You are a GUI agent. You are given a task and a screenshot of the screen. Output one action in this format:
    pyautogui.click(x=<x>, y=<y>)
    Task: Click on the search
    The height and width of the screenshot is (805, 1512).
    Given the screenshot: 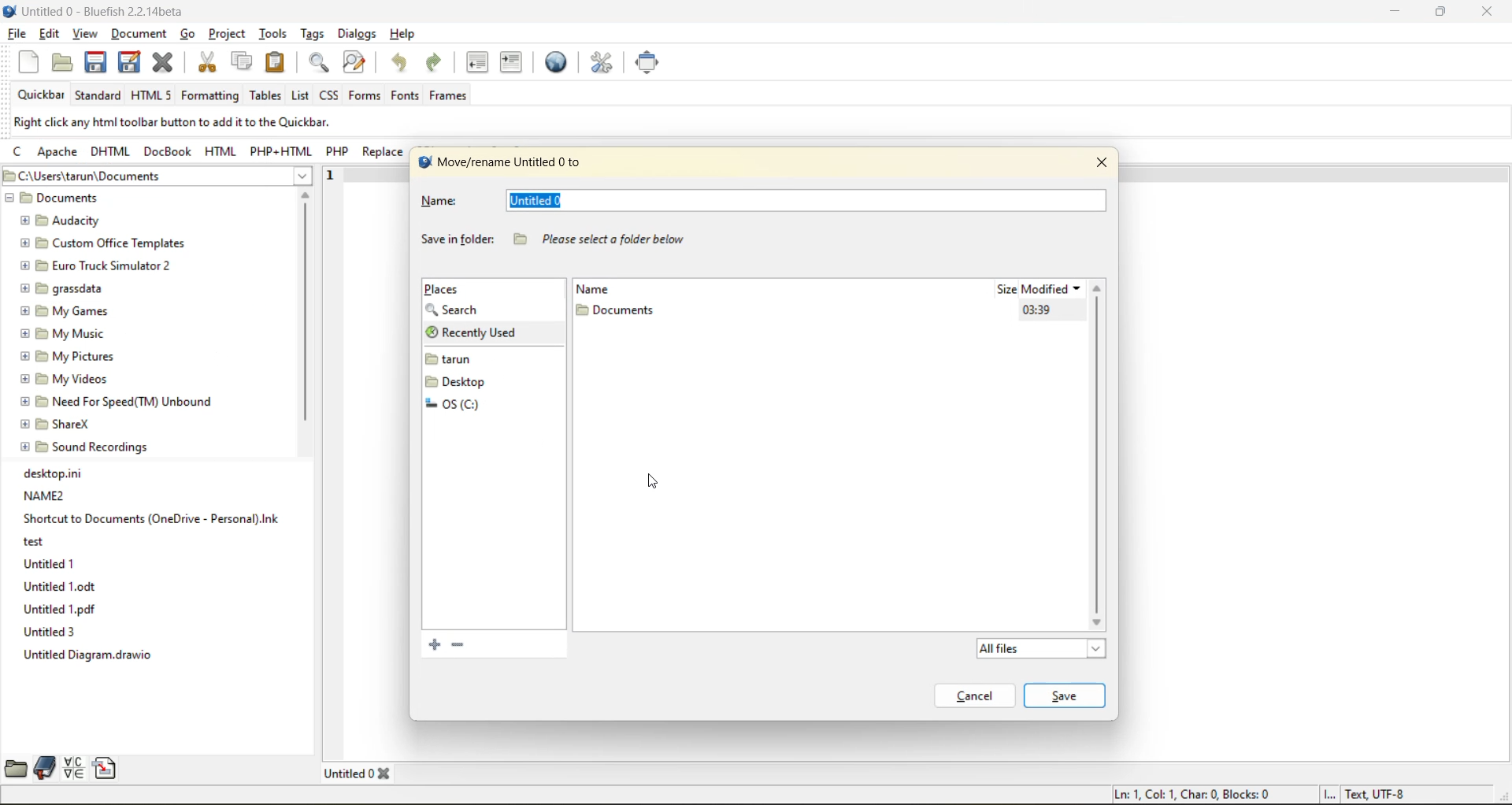 What is the action you would take?
    pyautogui.click(x=465, y=310)
    